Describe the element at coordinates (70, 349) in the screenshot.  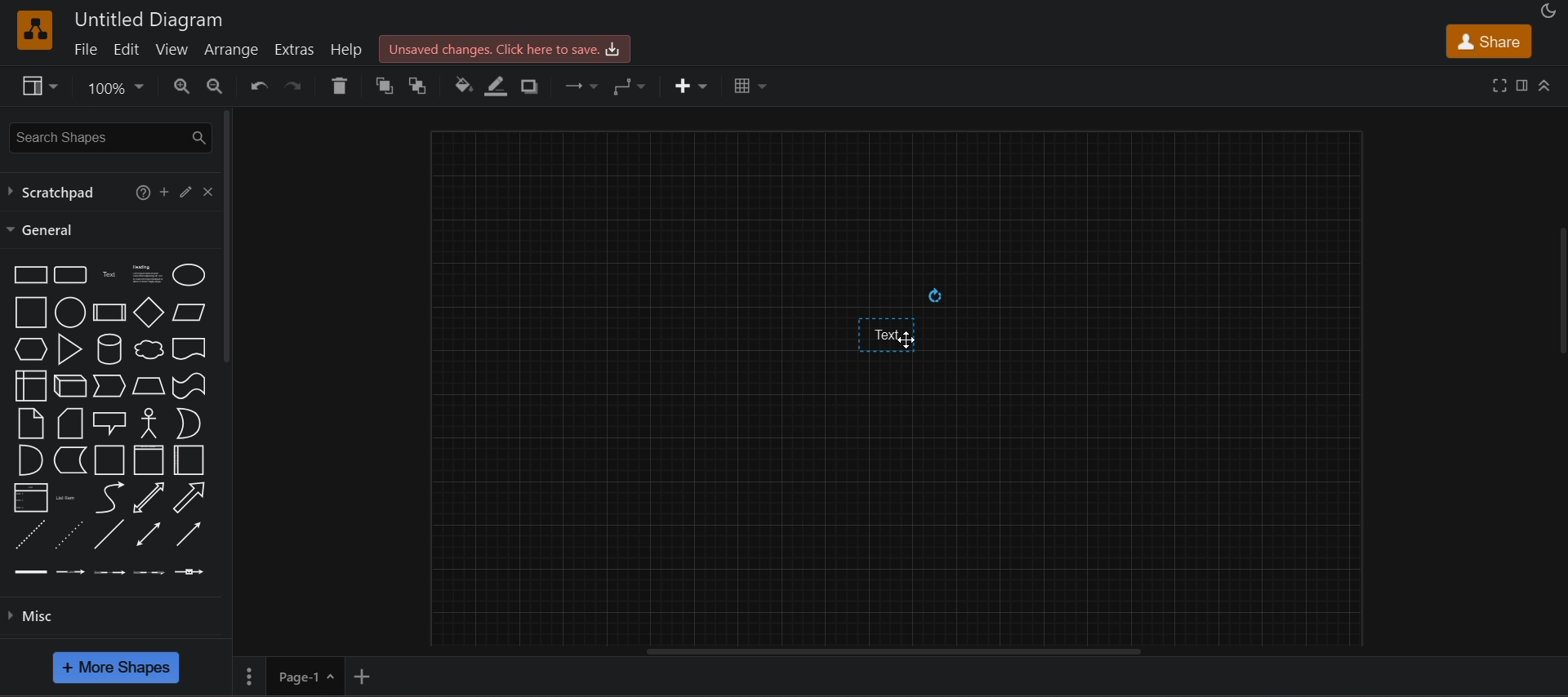
I see `Triangle` at that location.